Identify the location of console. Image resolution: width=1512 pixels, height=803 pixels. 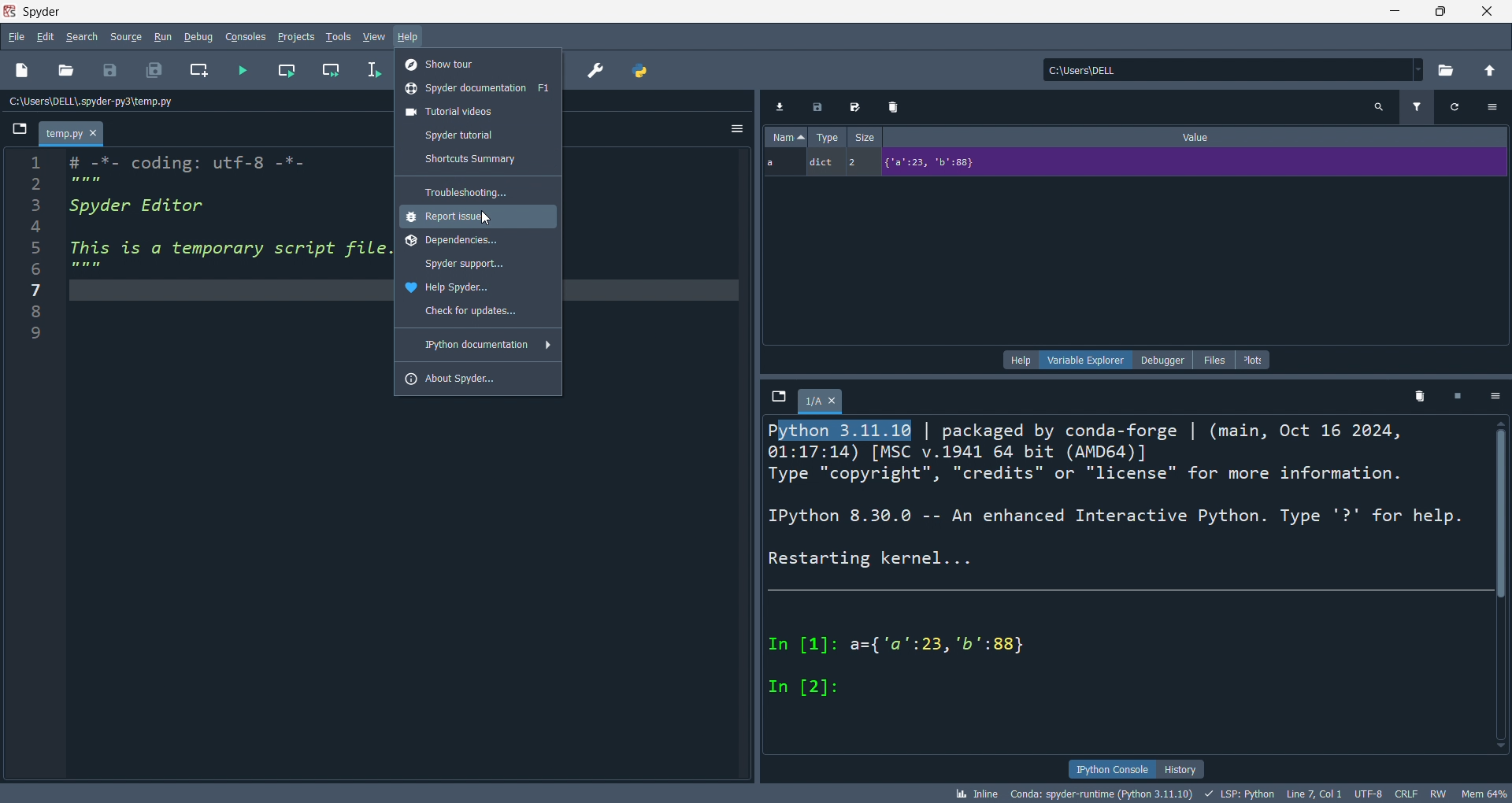
(246, 38).